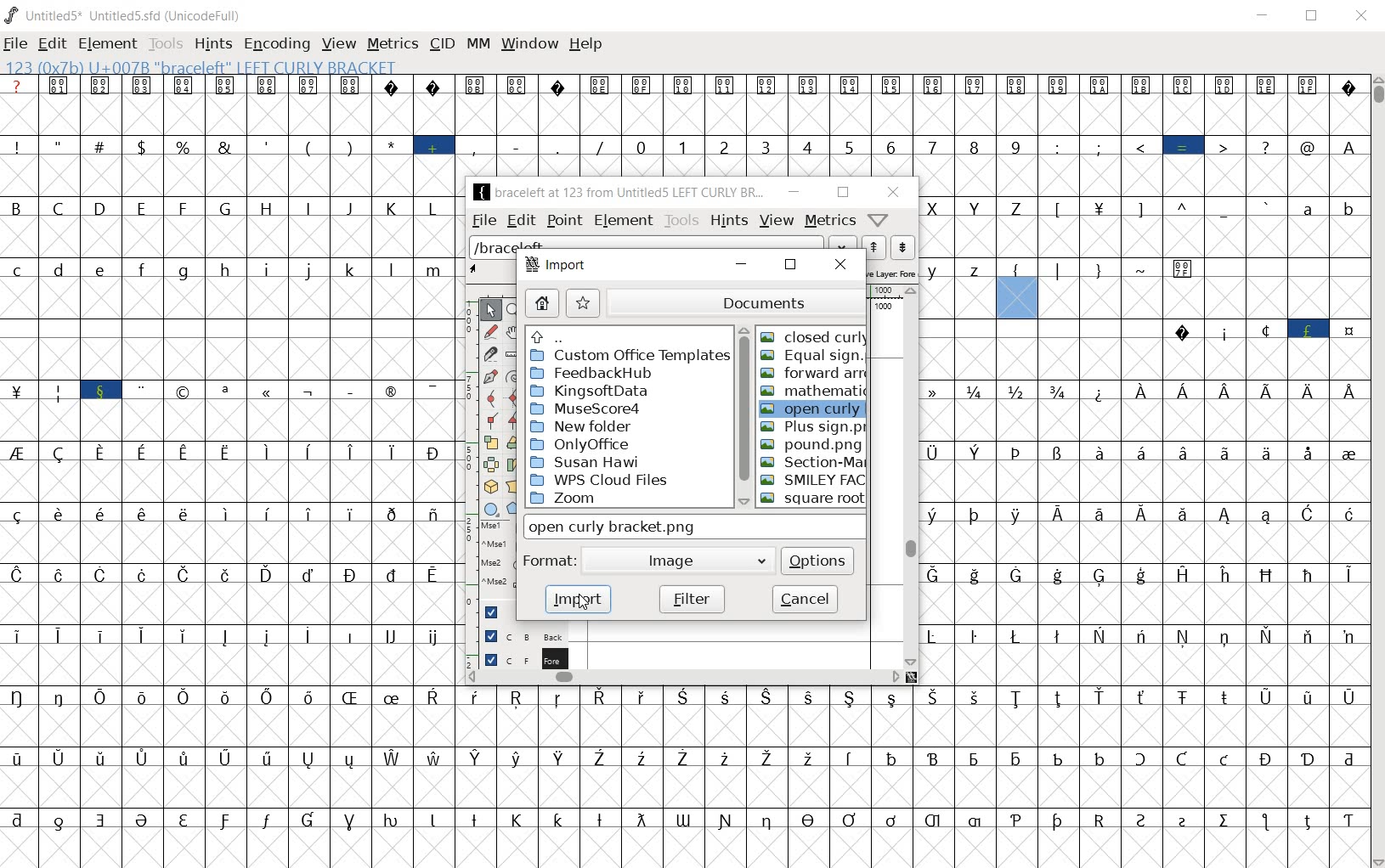  I want to click on window, so click(529, 44).